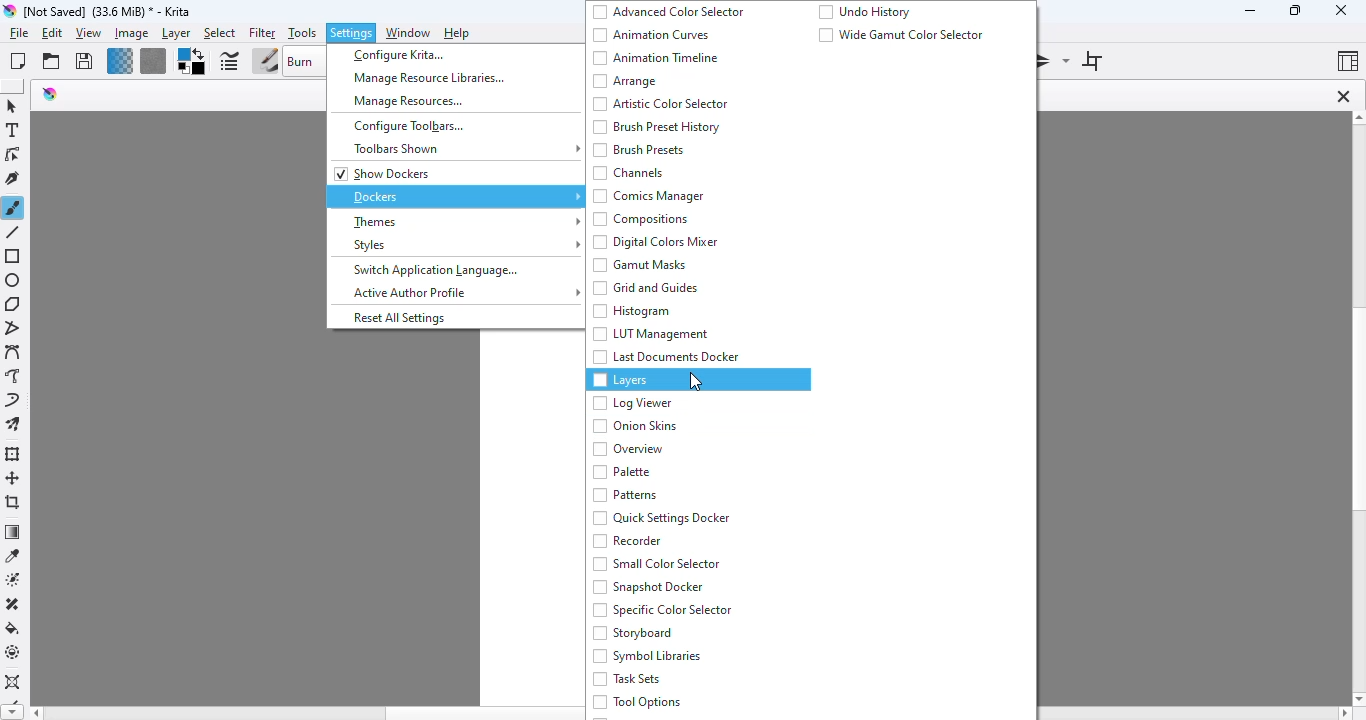 The width and height of the screenshot is (1366, 720). Describe the element at coordinates (657, 563) in the screenshot. I see `smart color selector` at that location.